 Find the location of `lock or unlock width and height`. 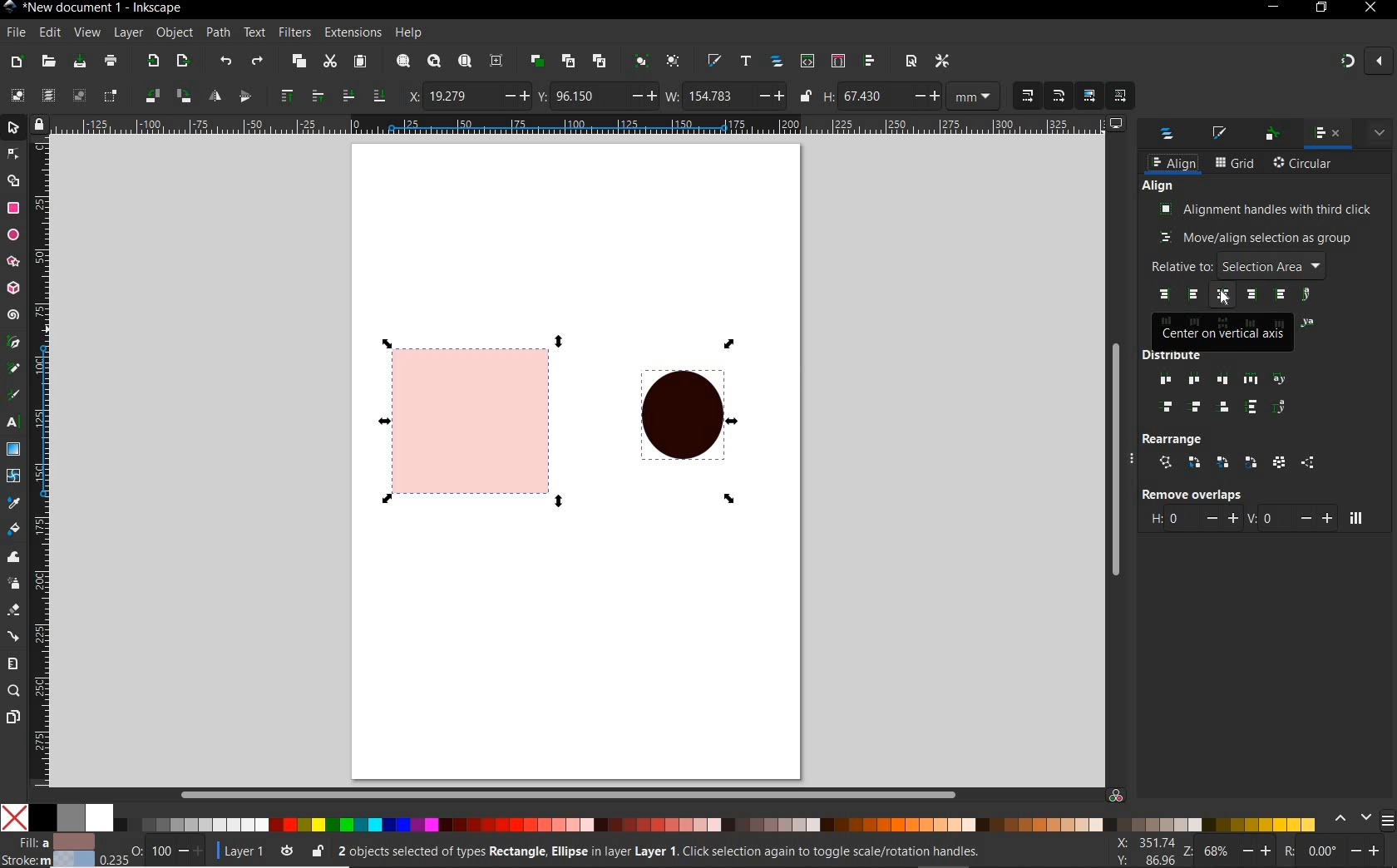

lock or unlock width and height is located at coordinates (807, 95).